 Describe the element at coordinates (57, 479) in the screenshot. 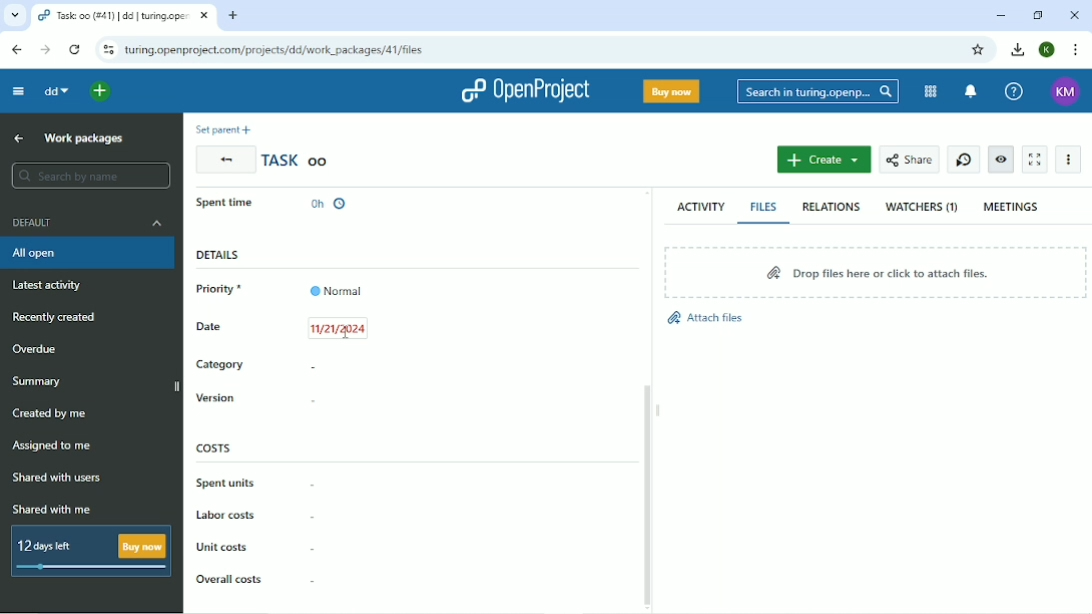

I see `Shared with users` at that location.